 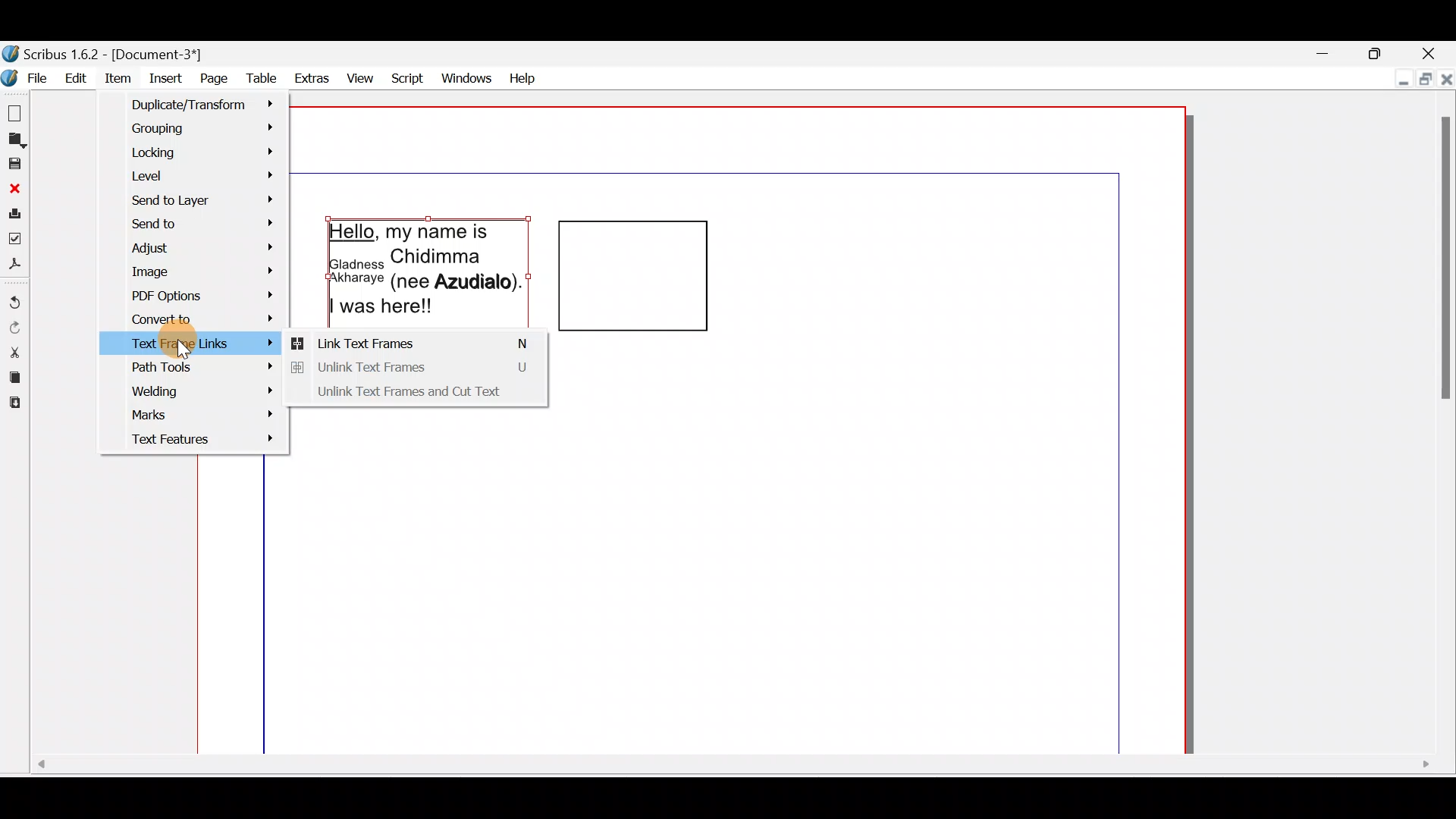 I want to click on Duplicate/Transform, so click(x=196, y=104).